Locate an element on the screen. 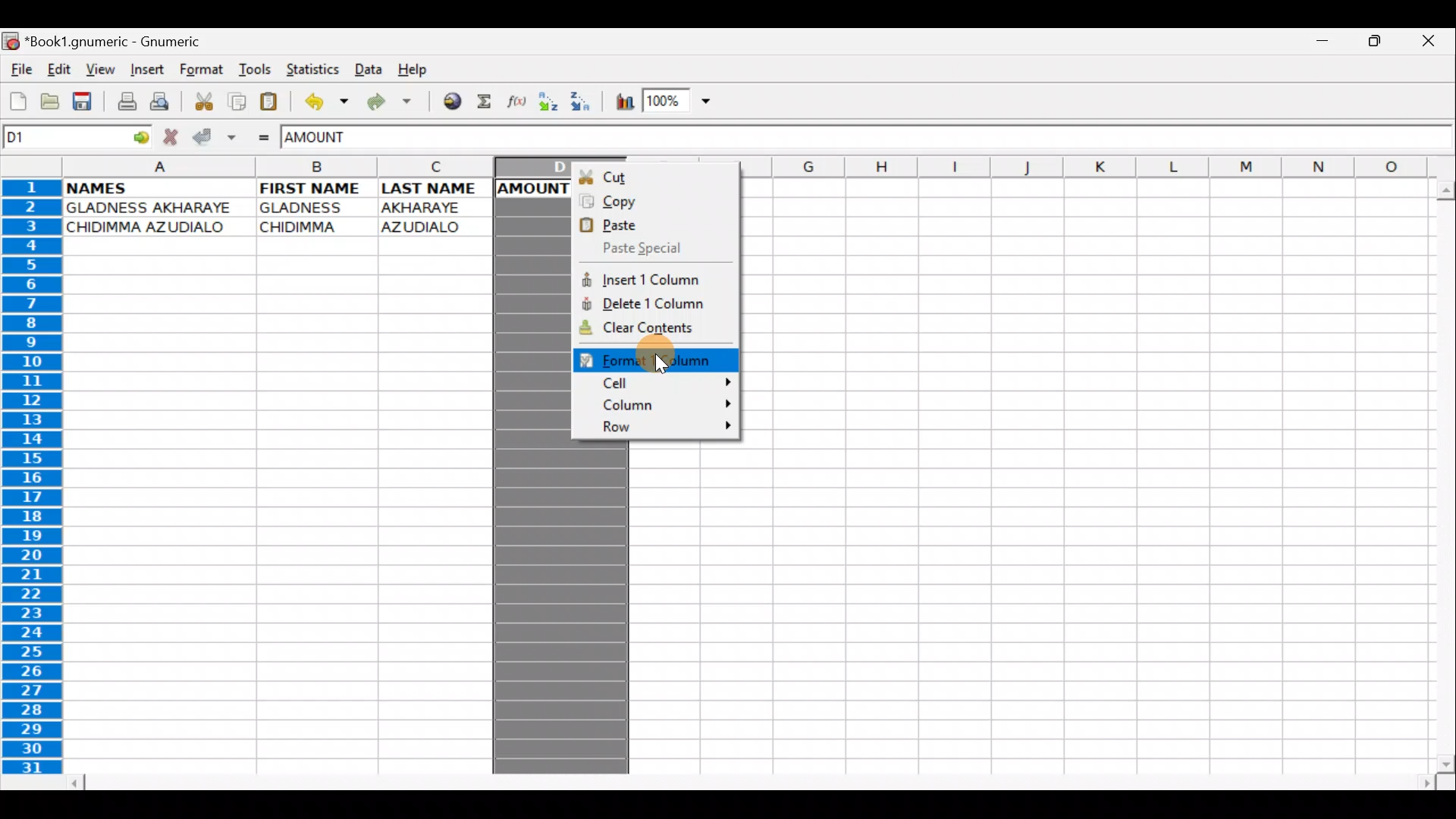 This screenshot has width=1456, height=819. Undo last action is located at coordinates (322, 100).